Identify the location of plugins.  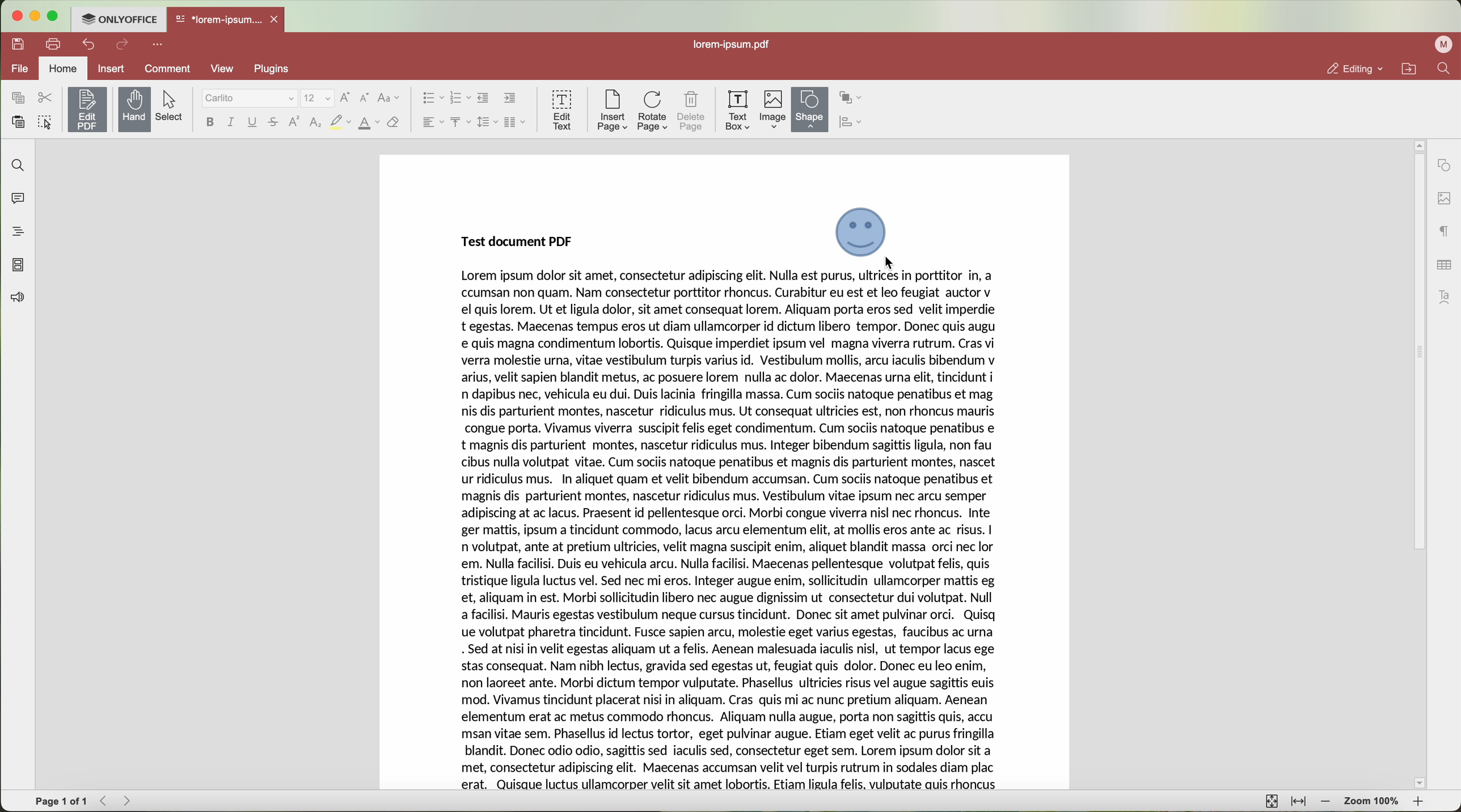
(285, 69).